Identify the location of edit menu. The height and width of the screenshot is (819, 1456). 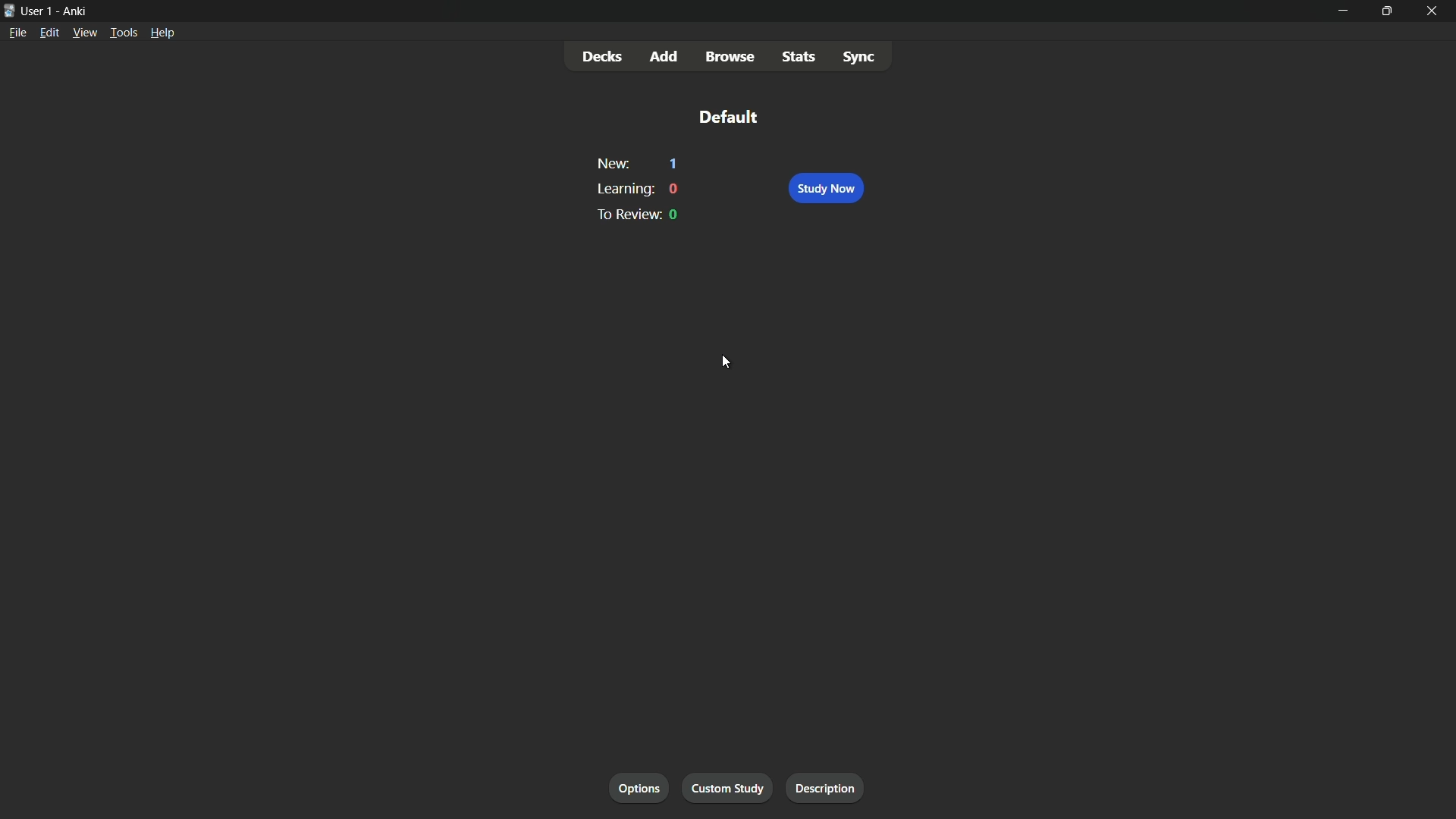
(52, 32).